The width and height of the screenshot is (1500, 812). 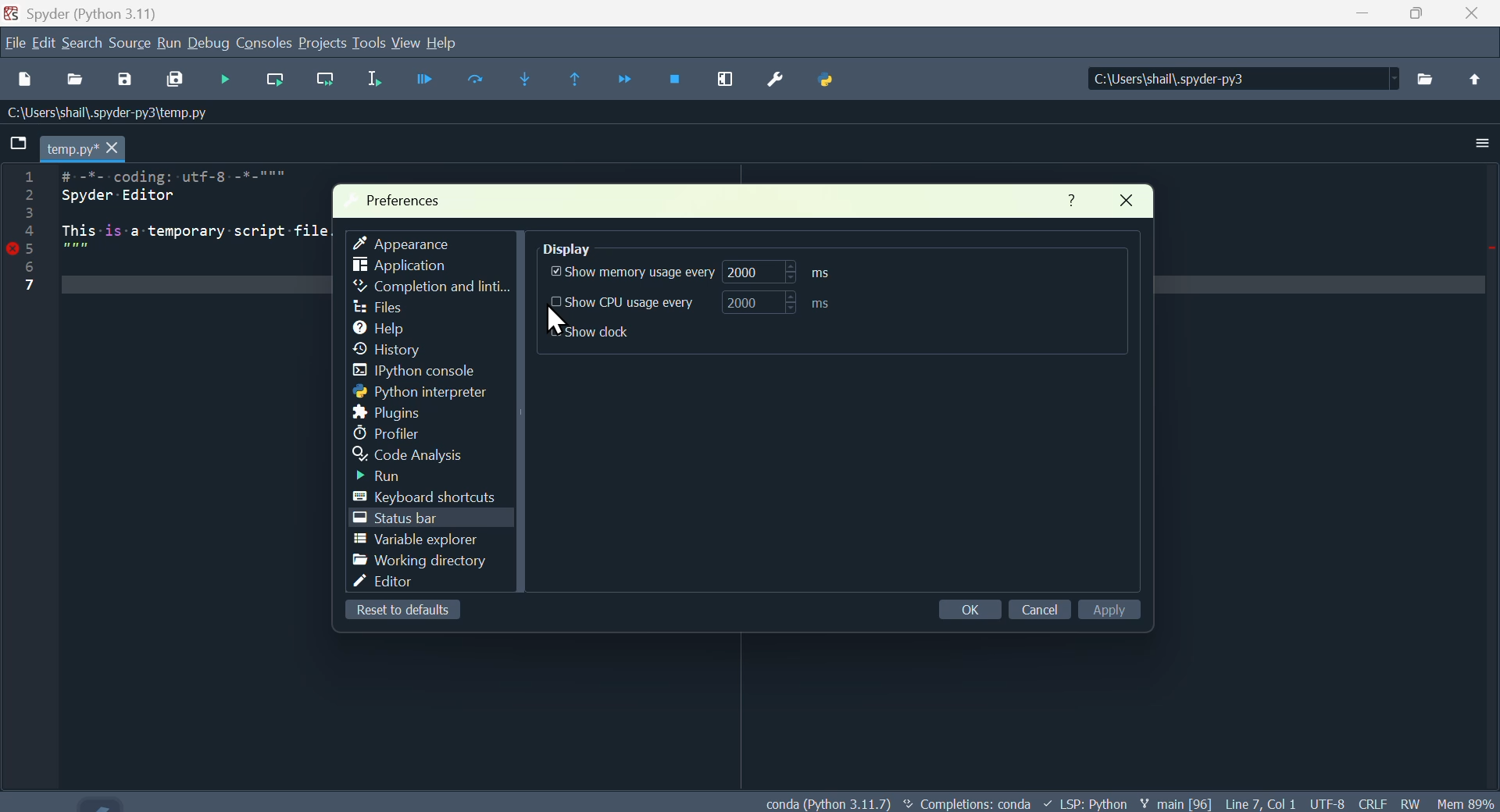 I want to click on 1 # -%--coding: utf-8 -*-"""
> Spyder Editor

3

+ This is-a temporary -script-file.
ST

5

7, so click(x=198, y=228).